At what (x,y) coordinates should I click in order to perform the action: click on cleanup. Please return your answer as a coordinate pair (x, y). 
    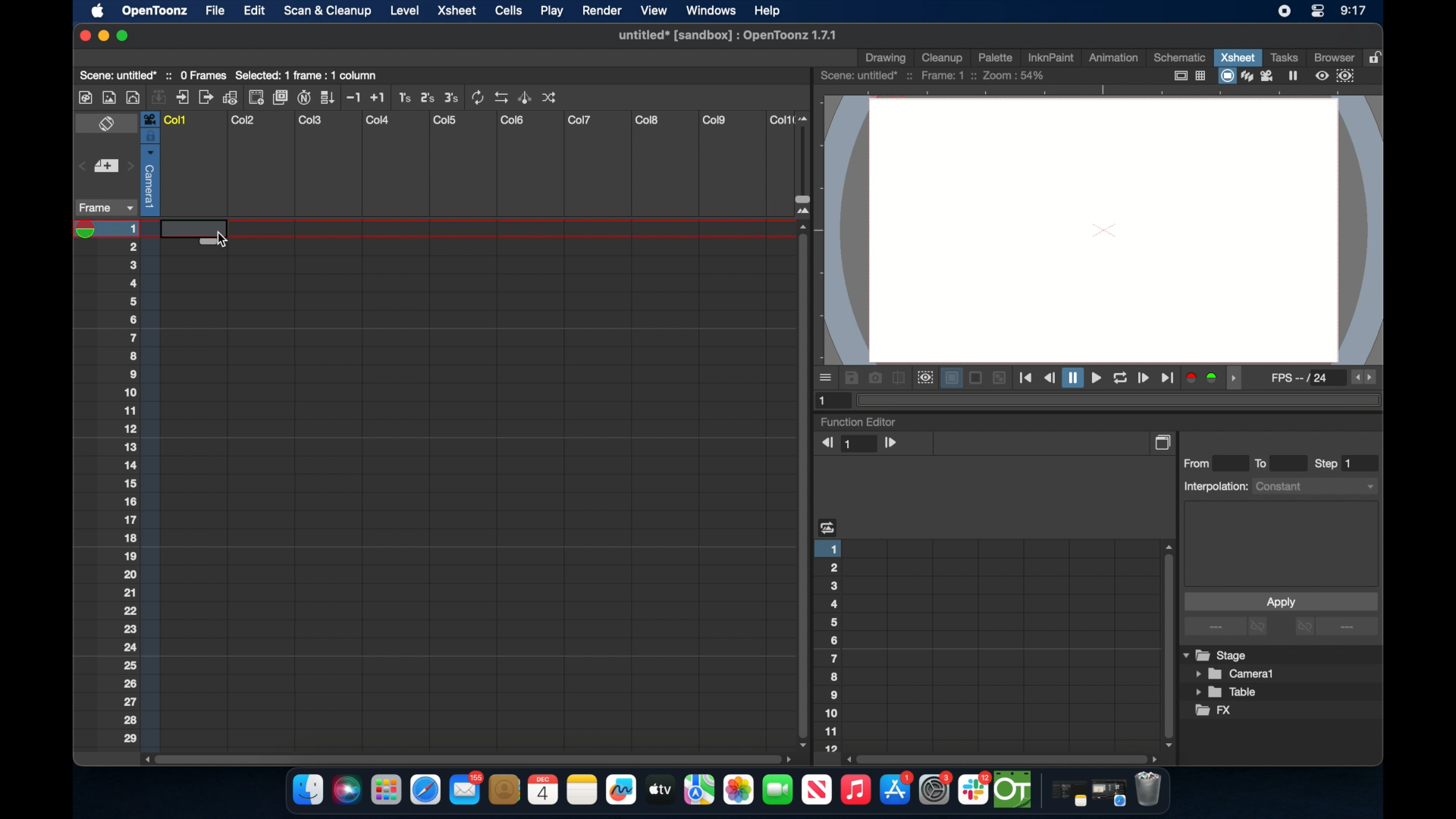
    Looking at the image, I should click on (943, 56).